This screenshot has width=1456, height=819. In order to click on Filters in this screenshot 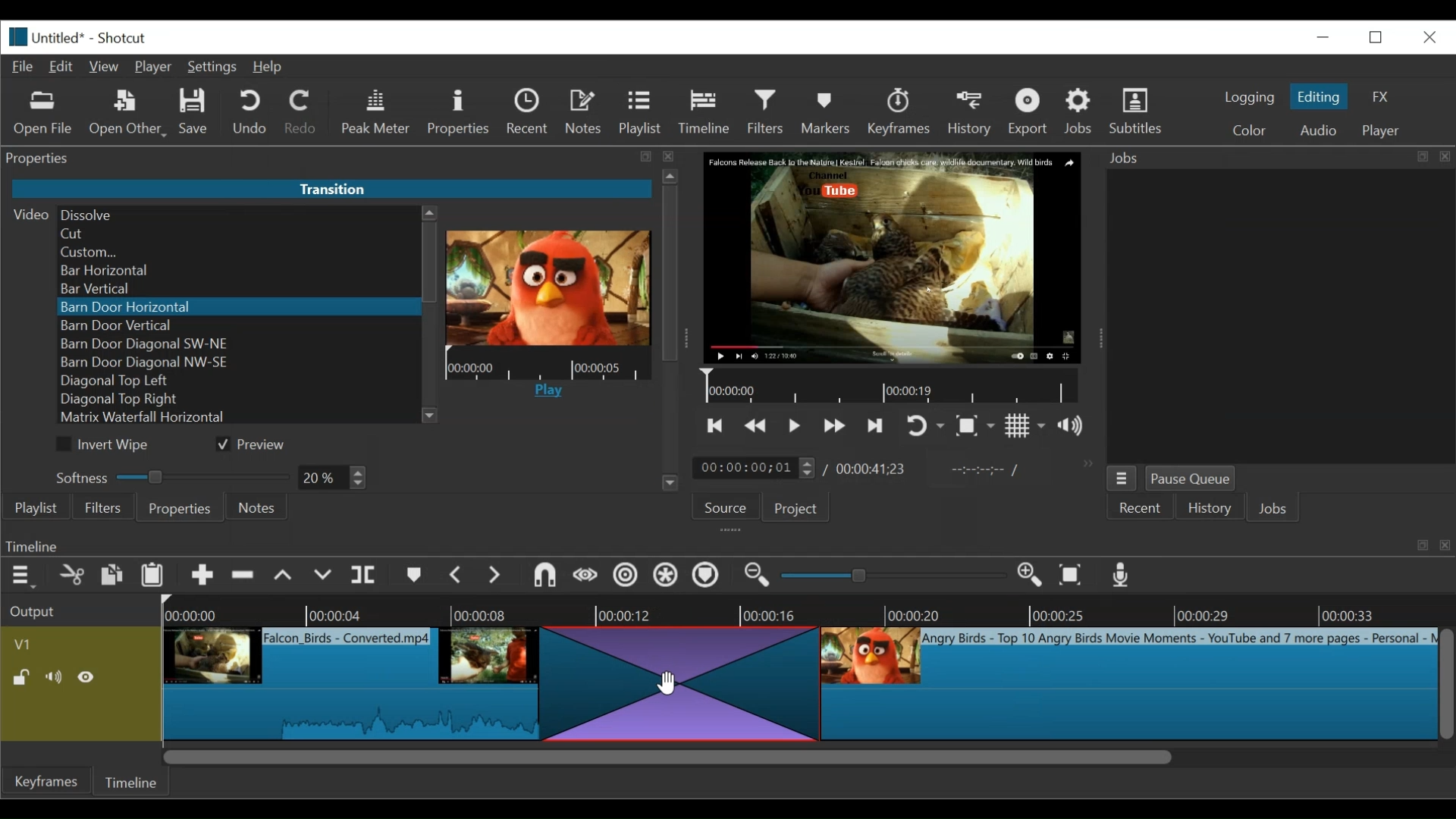, I will do `click(102, 507)`.